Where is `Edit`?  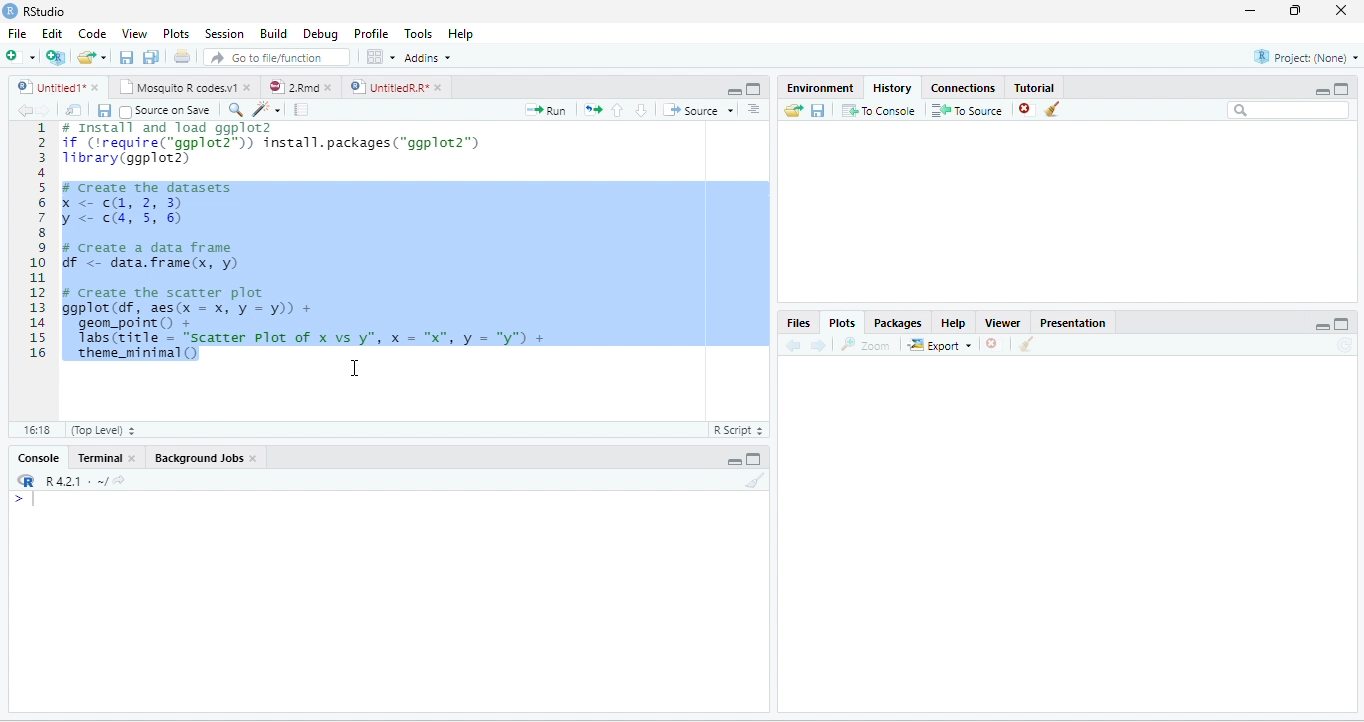
Edit is located at coordinates (51, 33).